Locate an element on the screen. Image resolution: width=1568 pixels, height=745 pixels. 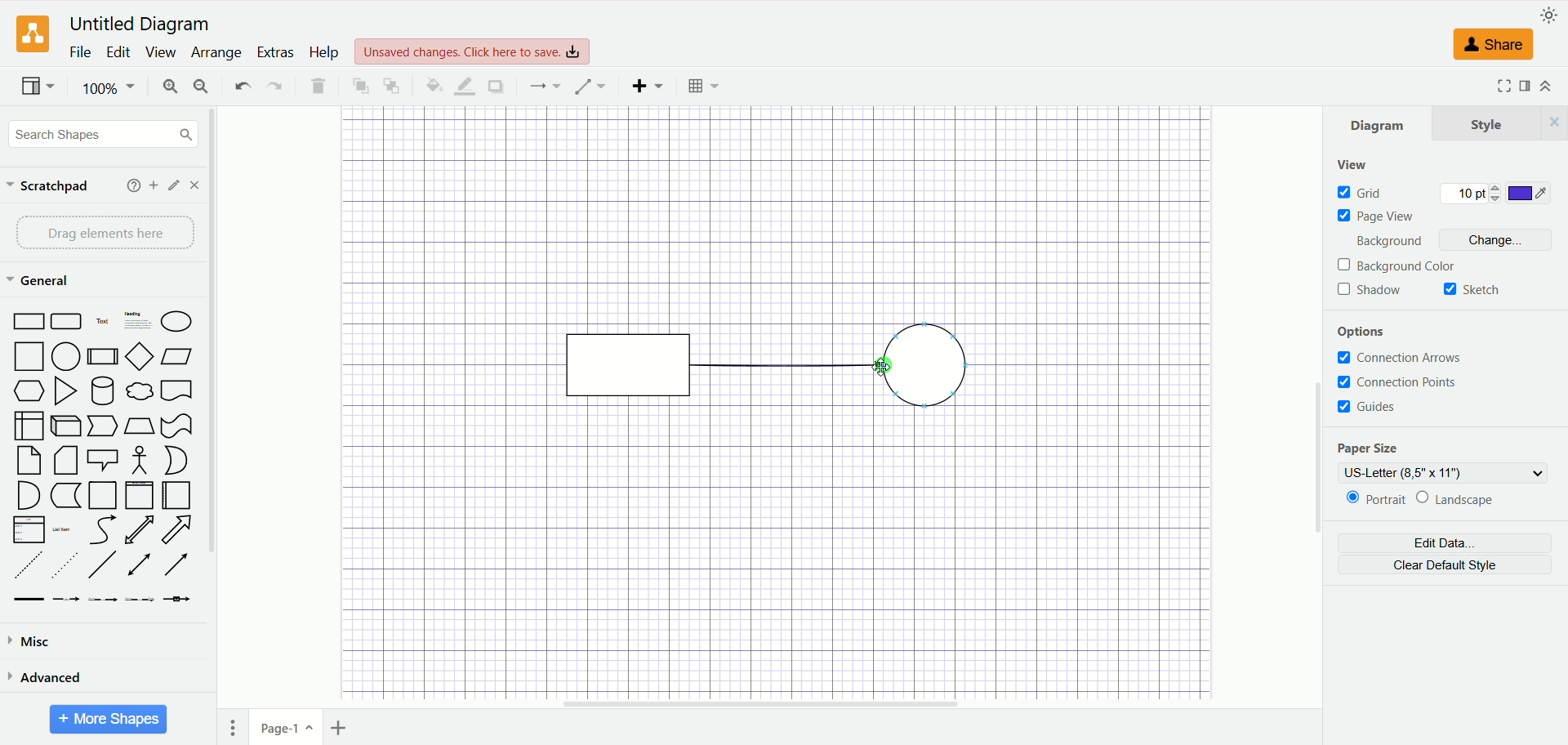
Page is located at coordinates (101, 495).